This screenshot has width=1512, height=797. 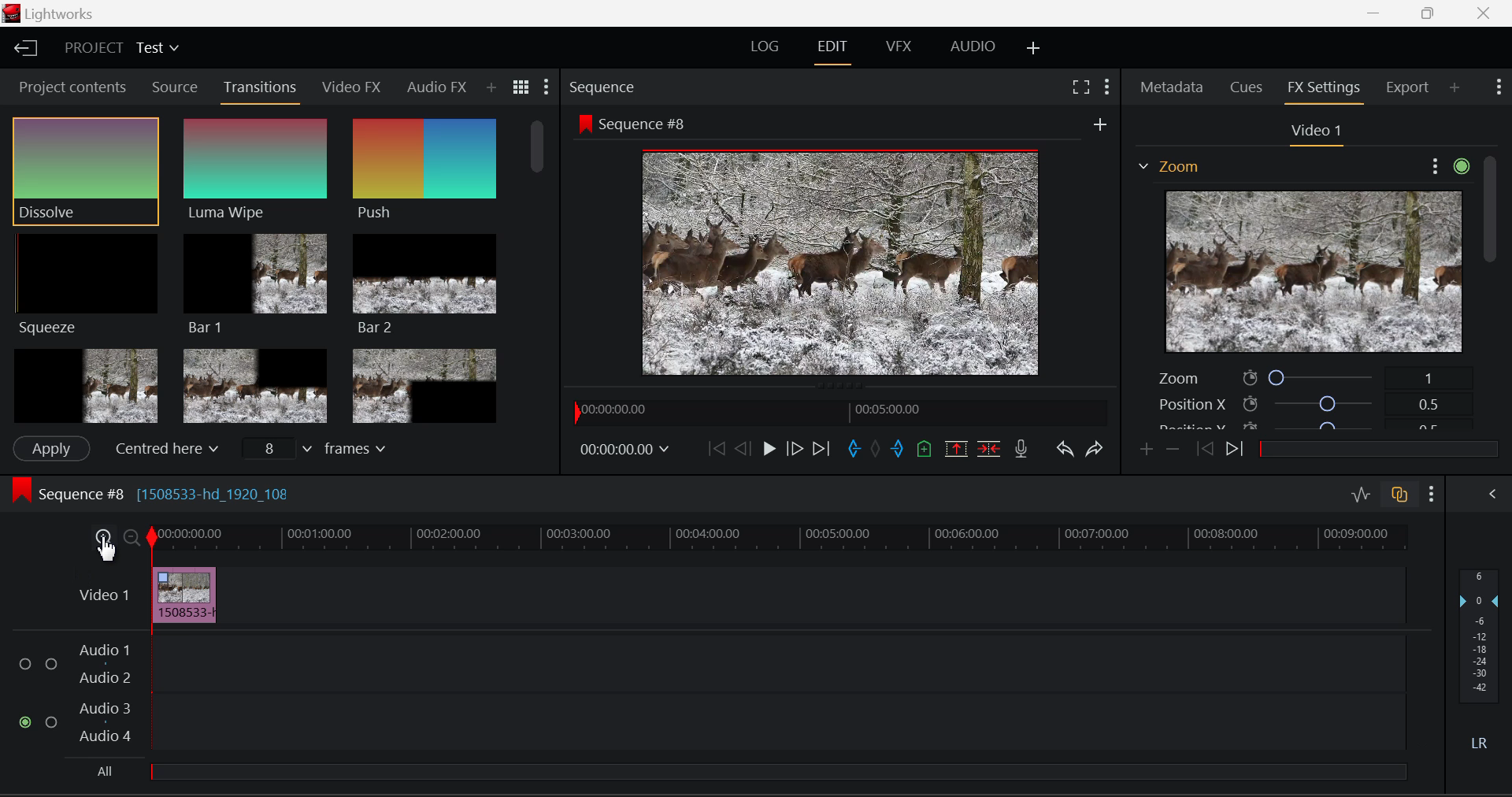 What do you see at coordinates (1036, 50) in the screenshot?
I see `Add Layout` at bounding box center [1036, 50].